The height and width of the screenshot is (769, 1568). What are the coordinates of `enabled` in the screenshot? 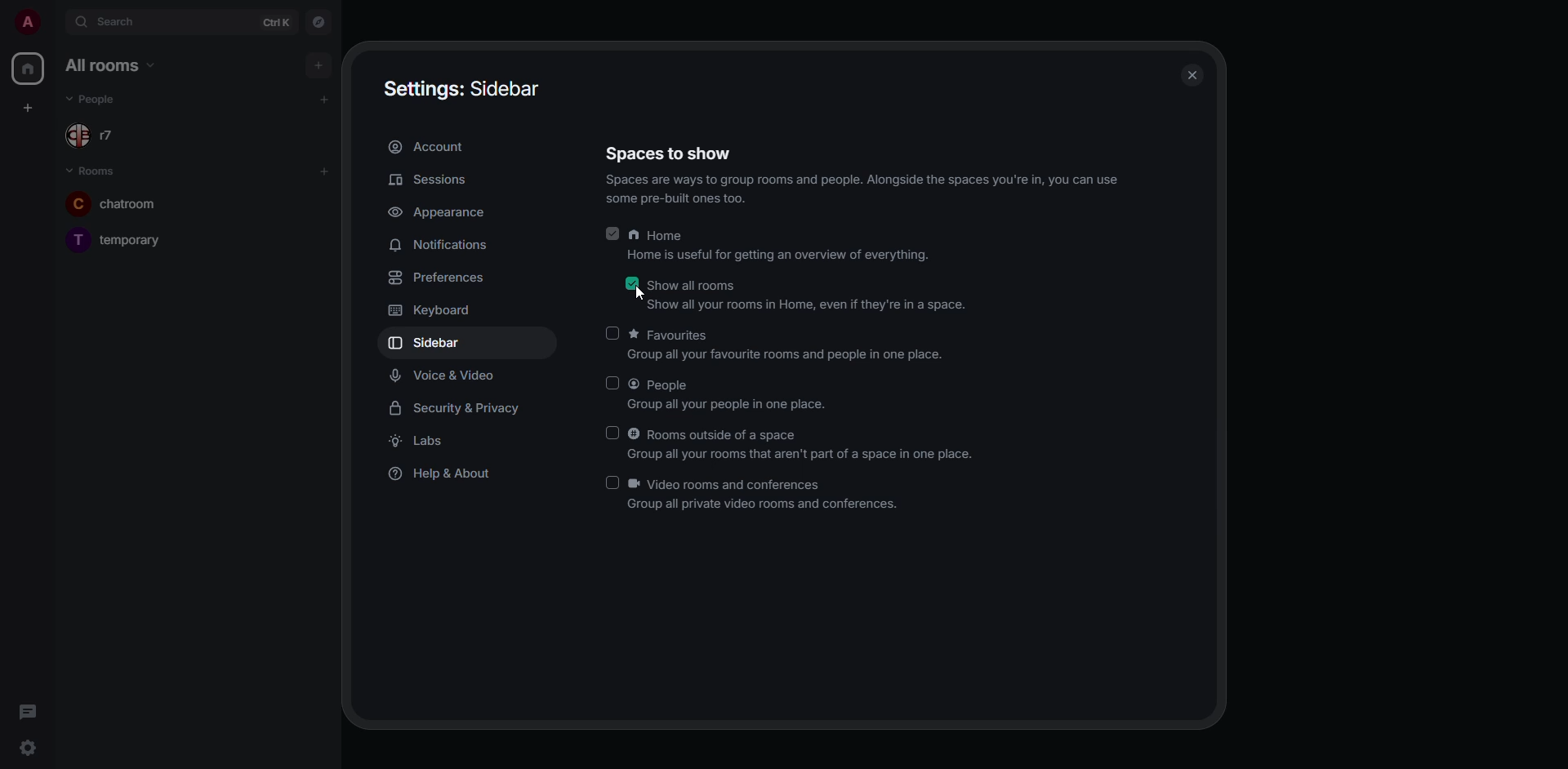 It's located at (628, 285).